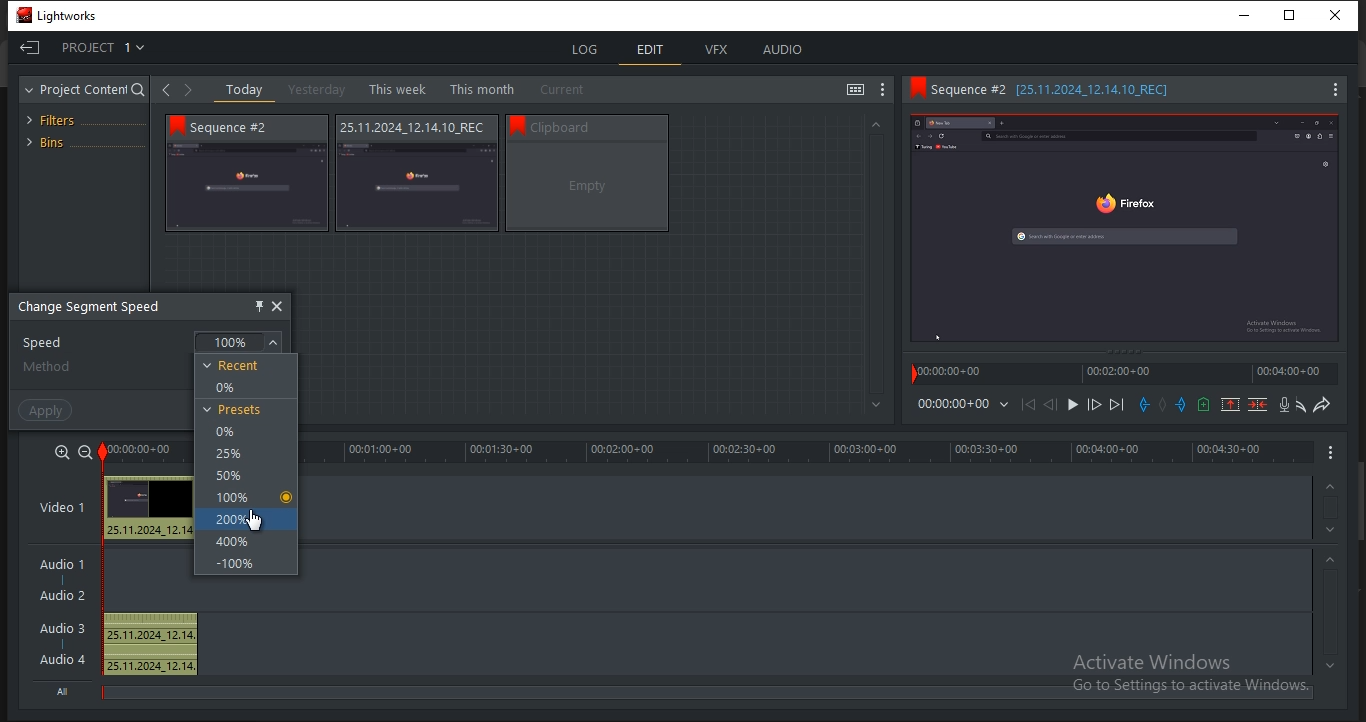 The height and width of the screenshot is (722, 1366). Describe the element at coordinates (785, 50) in the screenshot. I see `audio` at that location.